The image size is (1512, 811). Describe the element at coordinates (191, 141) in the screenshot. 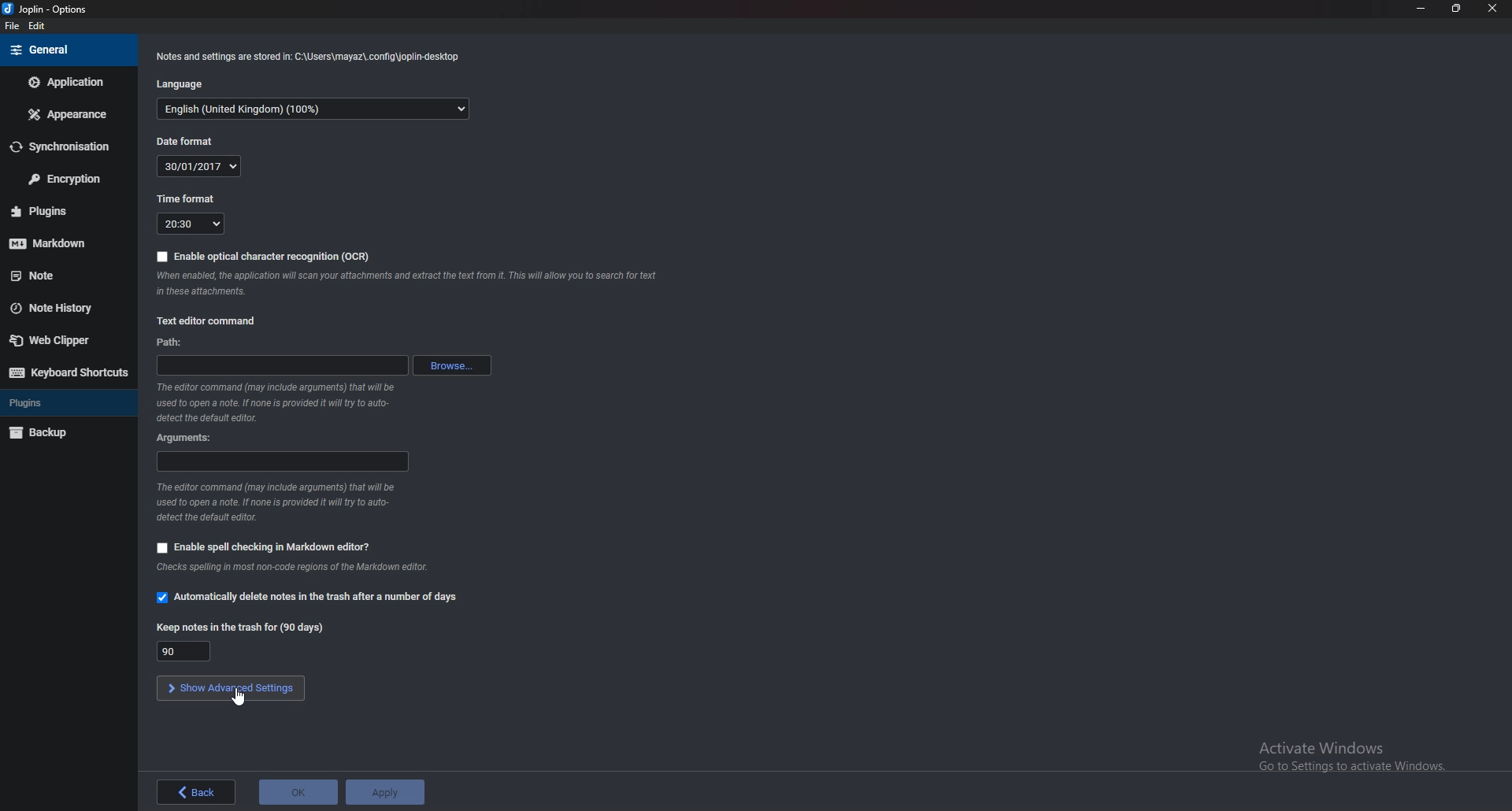

I see `Date format` at that location.